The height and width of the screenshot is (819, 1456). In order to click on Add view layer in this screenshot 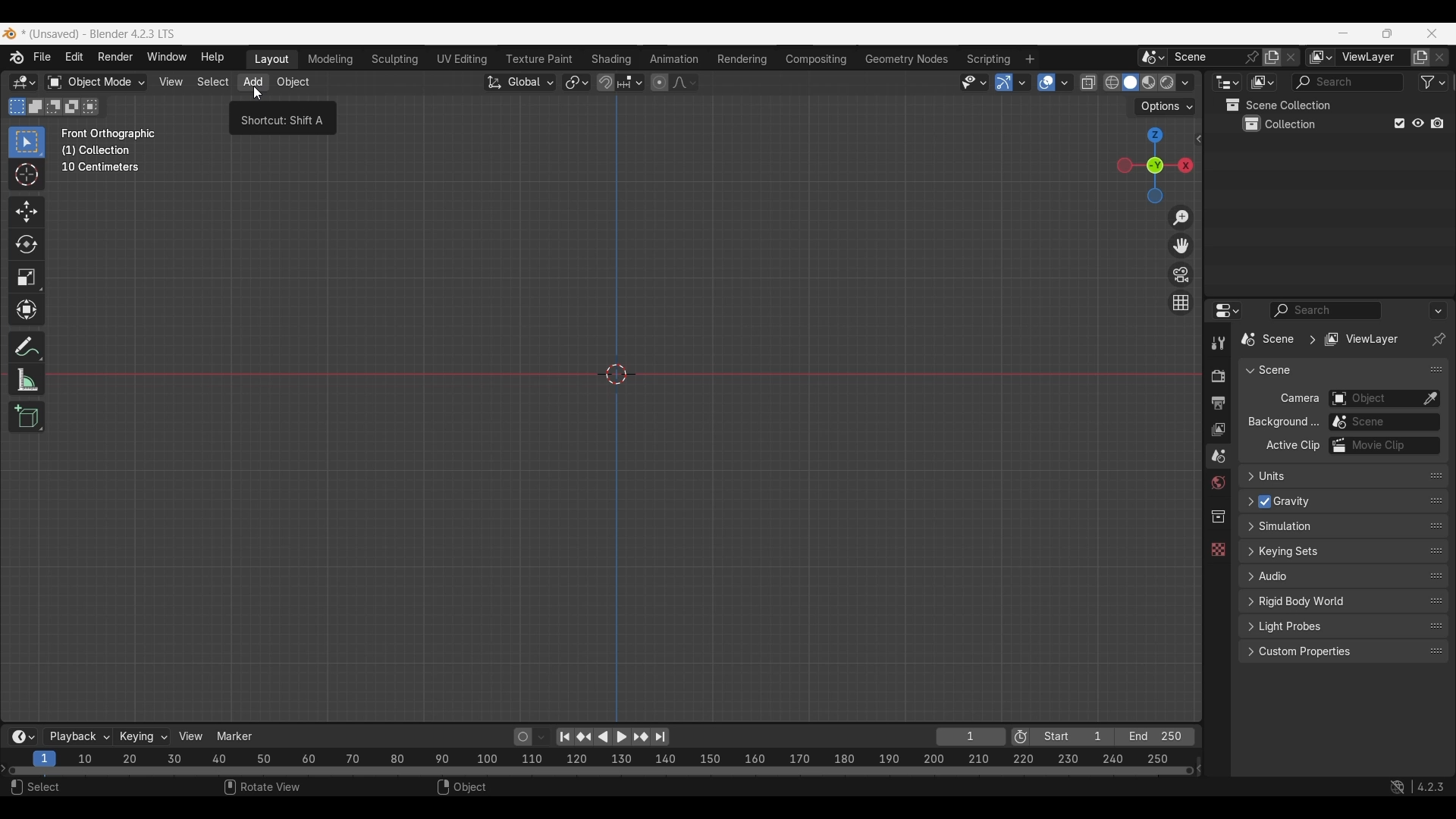, I will do `click(1420, 58)`.